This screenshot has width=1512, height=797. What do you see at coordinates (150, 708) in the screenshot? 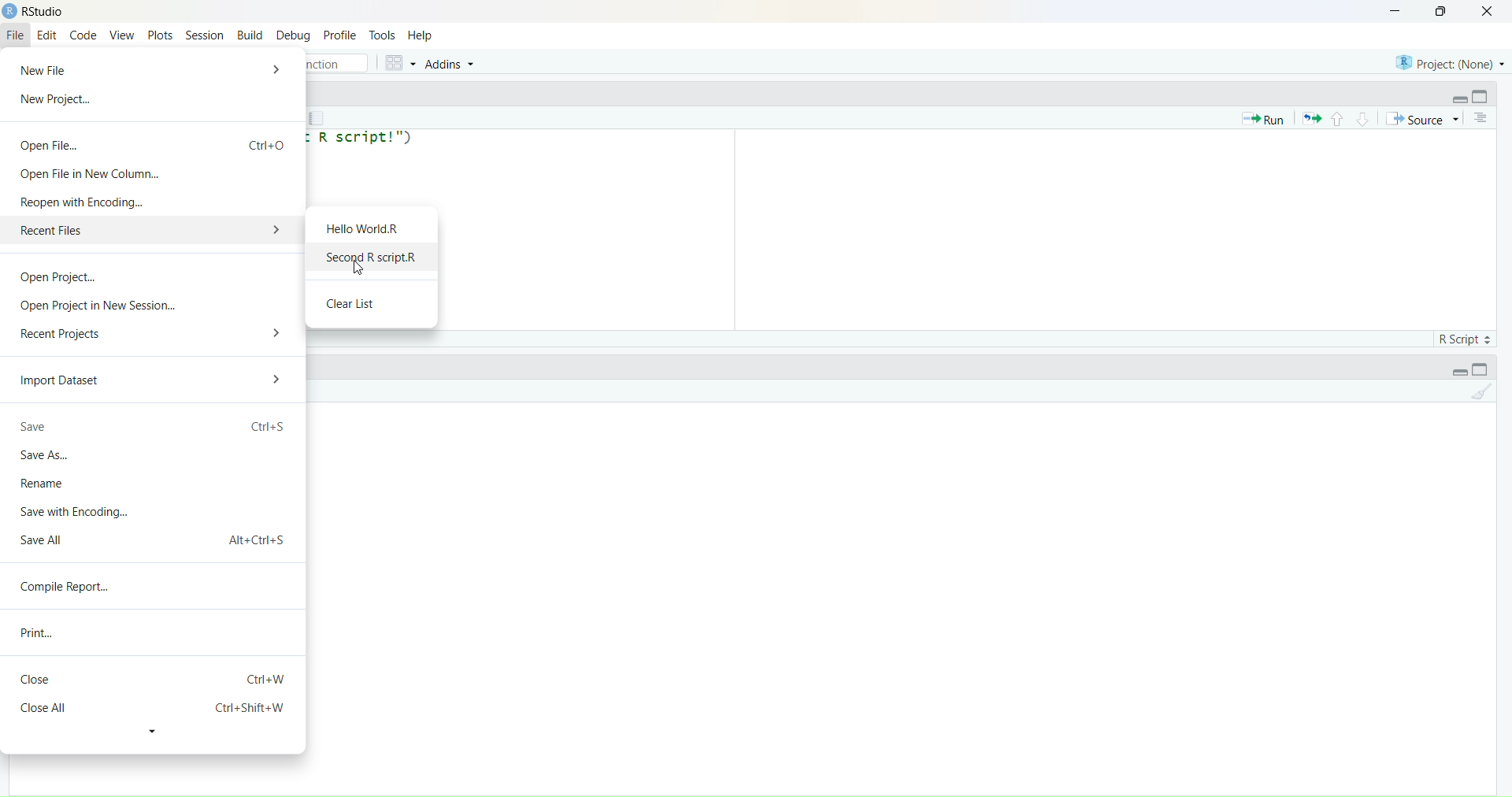
I see `Close All Ctrl+Shift+W` at bounding box center [150, 708].